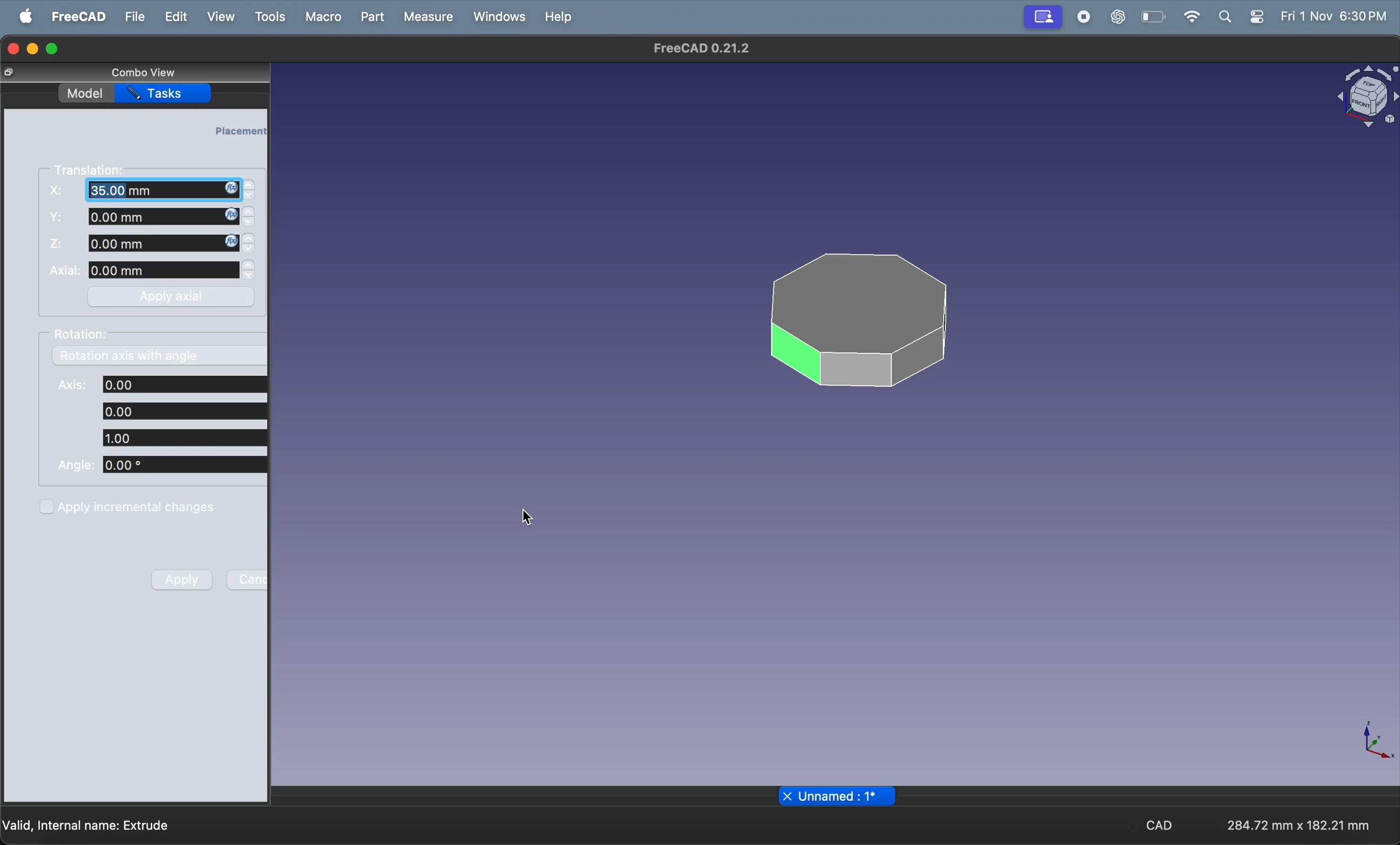 The width and height of the screenshot is (1400, 845). Describe the element at coordinates (250, 265) in the screenshot. I see `up` at that location.